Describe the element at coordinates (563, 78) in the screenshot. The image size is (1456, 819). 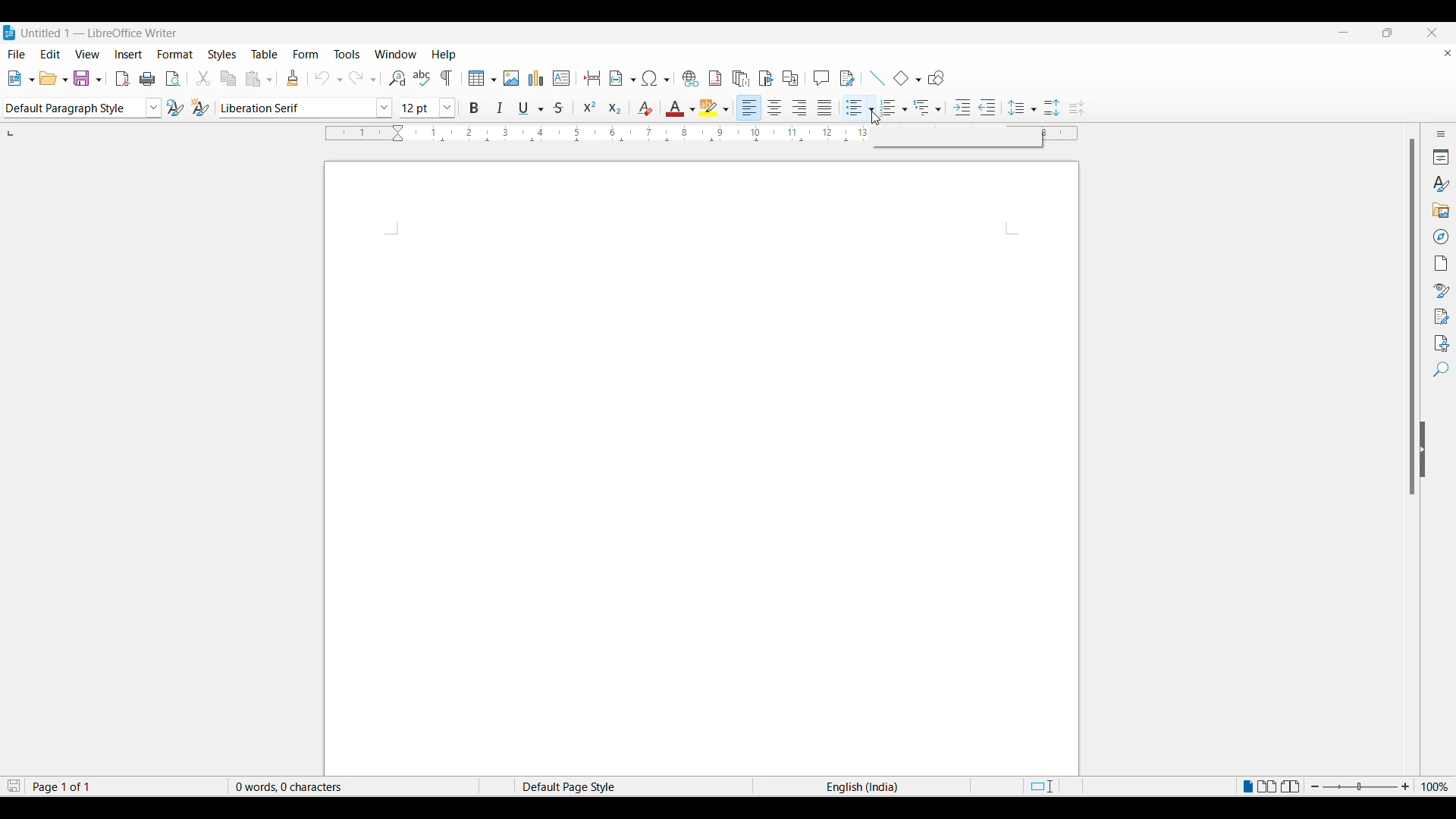
I see `insert text box` at that location.